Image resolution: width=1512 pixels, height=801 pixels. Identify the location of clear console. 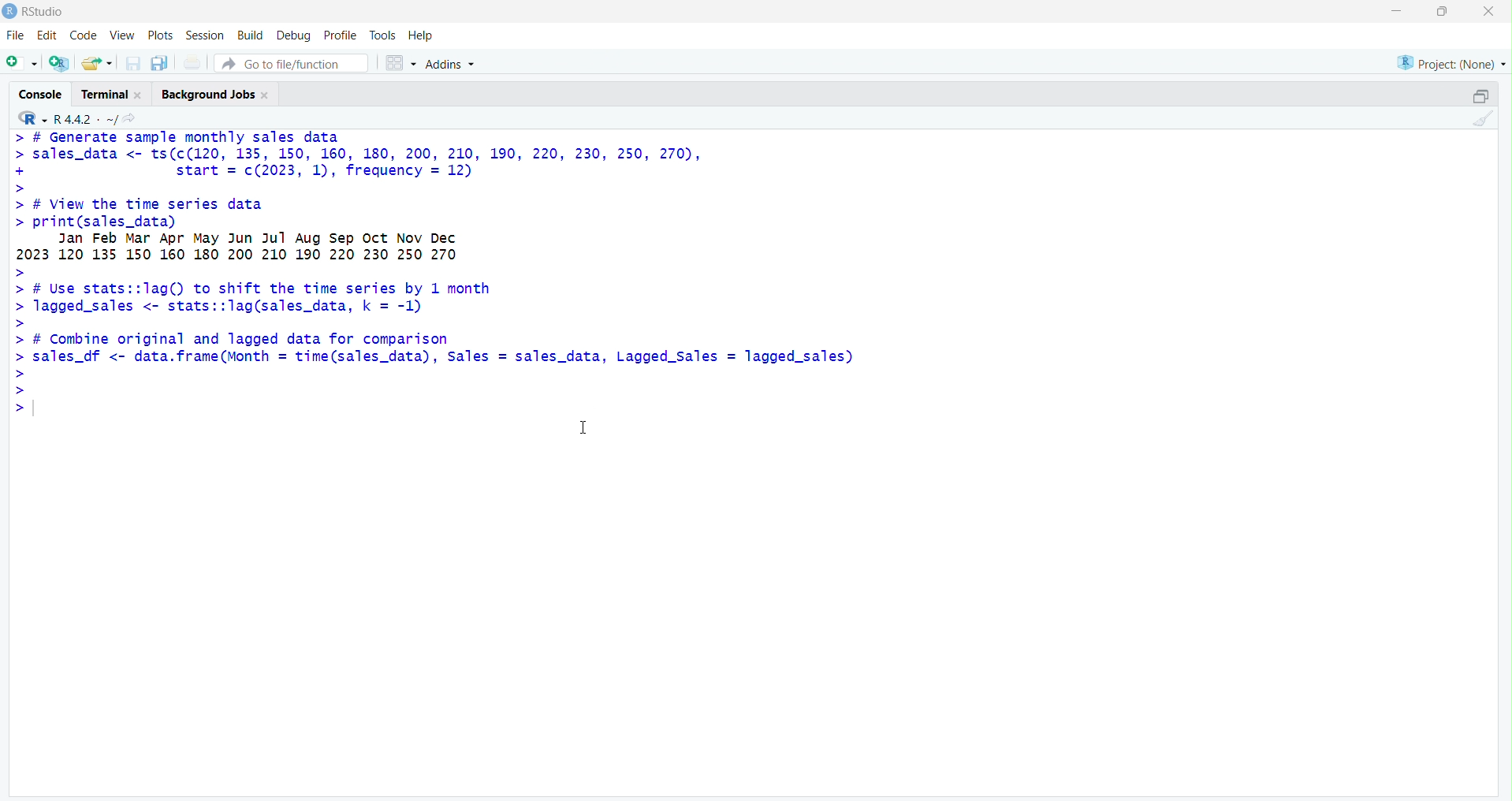
(1482, 120).